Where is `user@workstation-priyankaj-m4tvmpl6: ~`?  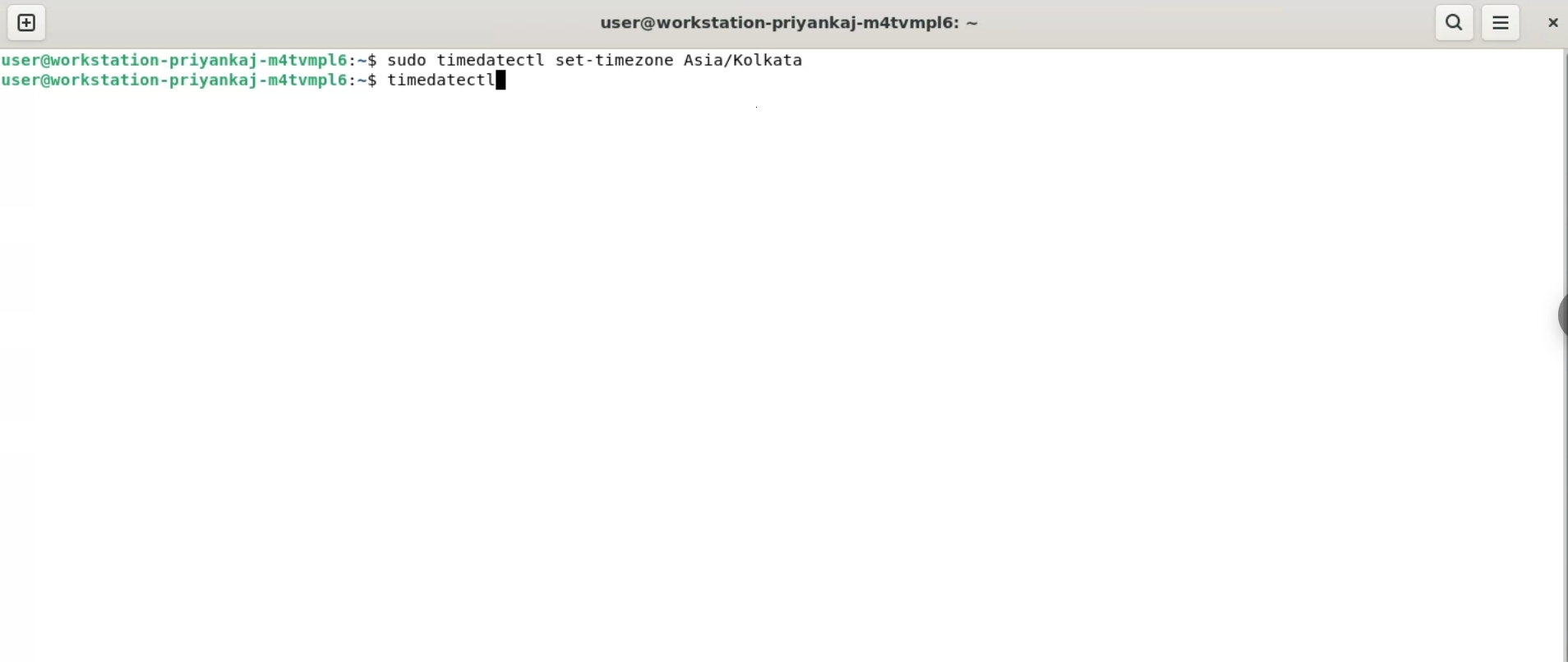
user@workstation-priyankaj-m4tvmpl6: ~ is located at coordinates (790, 23).